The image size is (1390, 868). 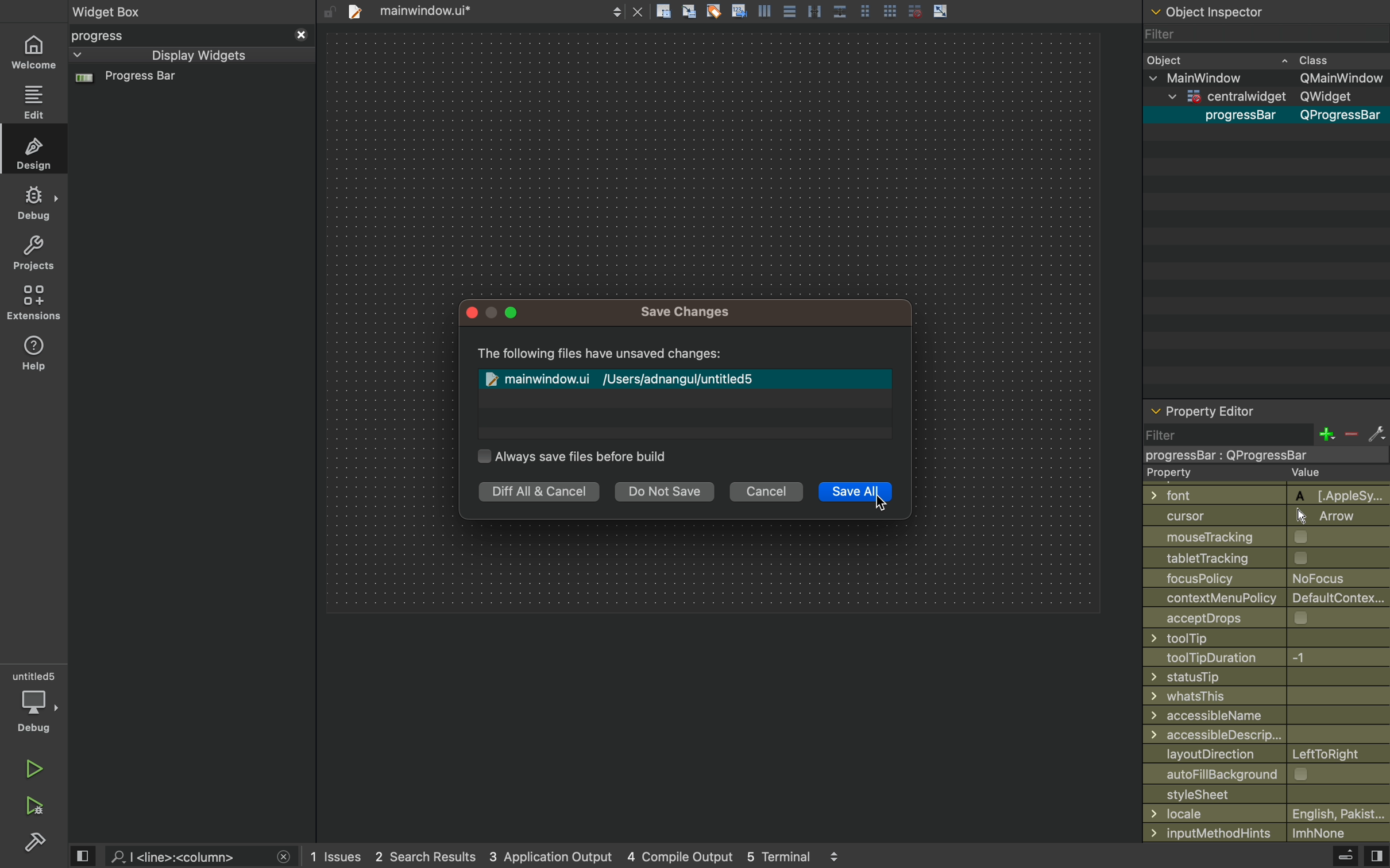 What do you see at coordinates (492, 313) in the screenshot?
I see `minimize` at bounding box center [492, 313].